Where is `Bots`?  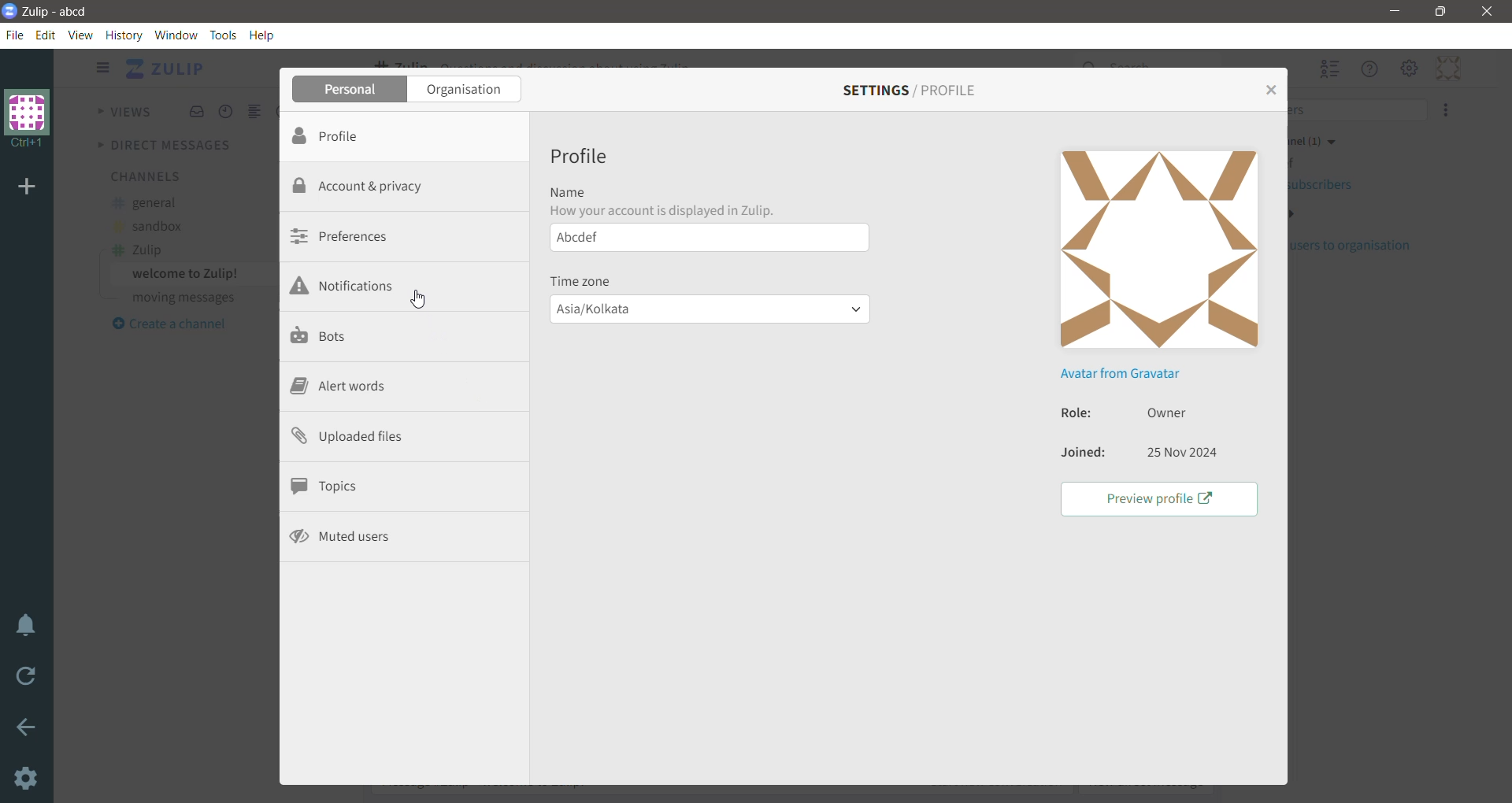 Bots is located at coordinates (322, 337).